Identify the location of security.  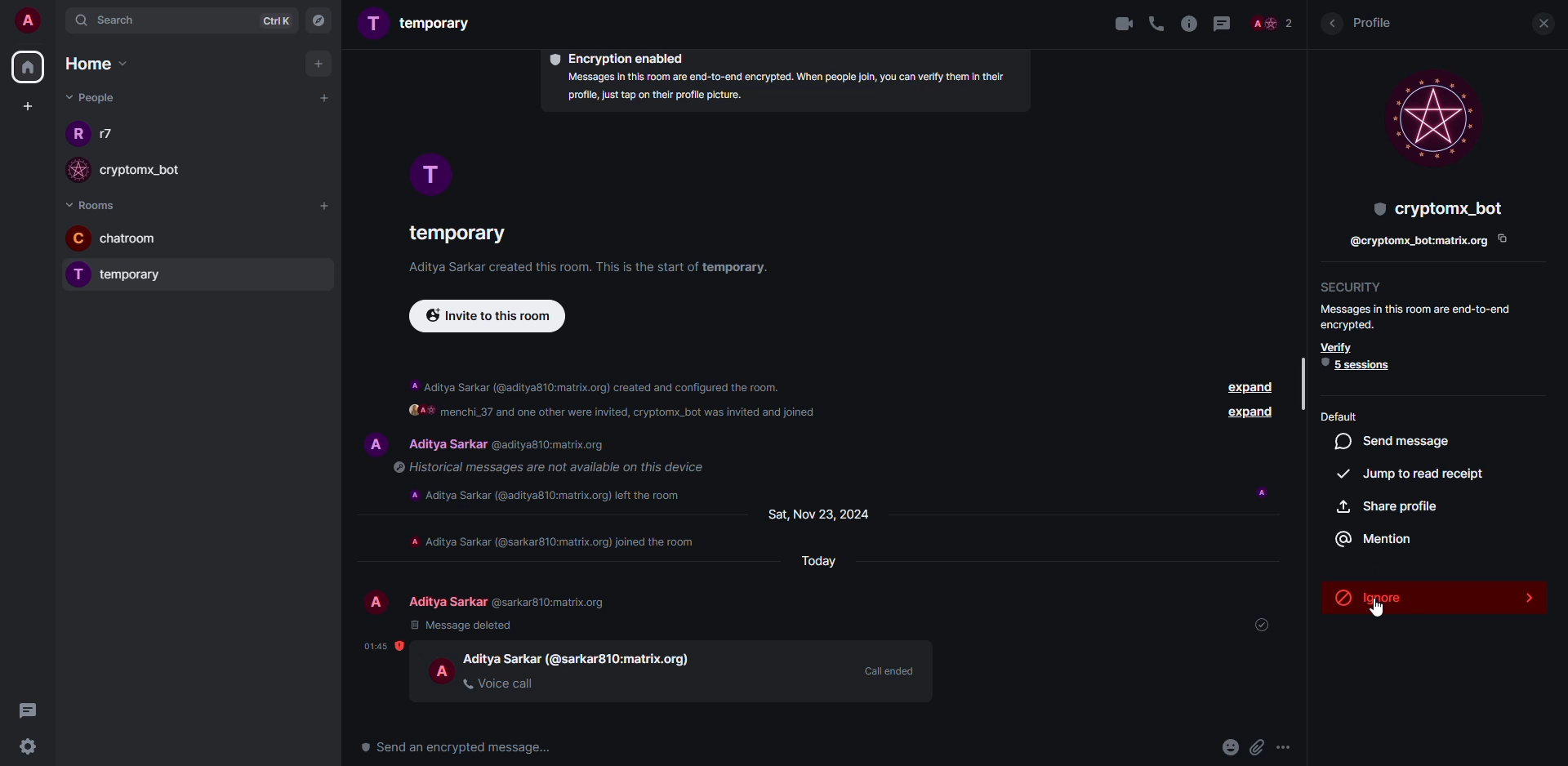
(1356, 287).